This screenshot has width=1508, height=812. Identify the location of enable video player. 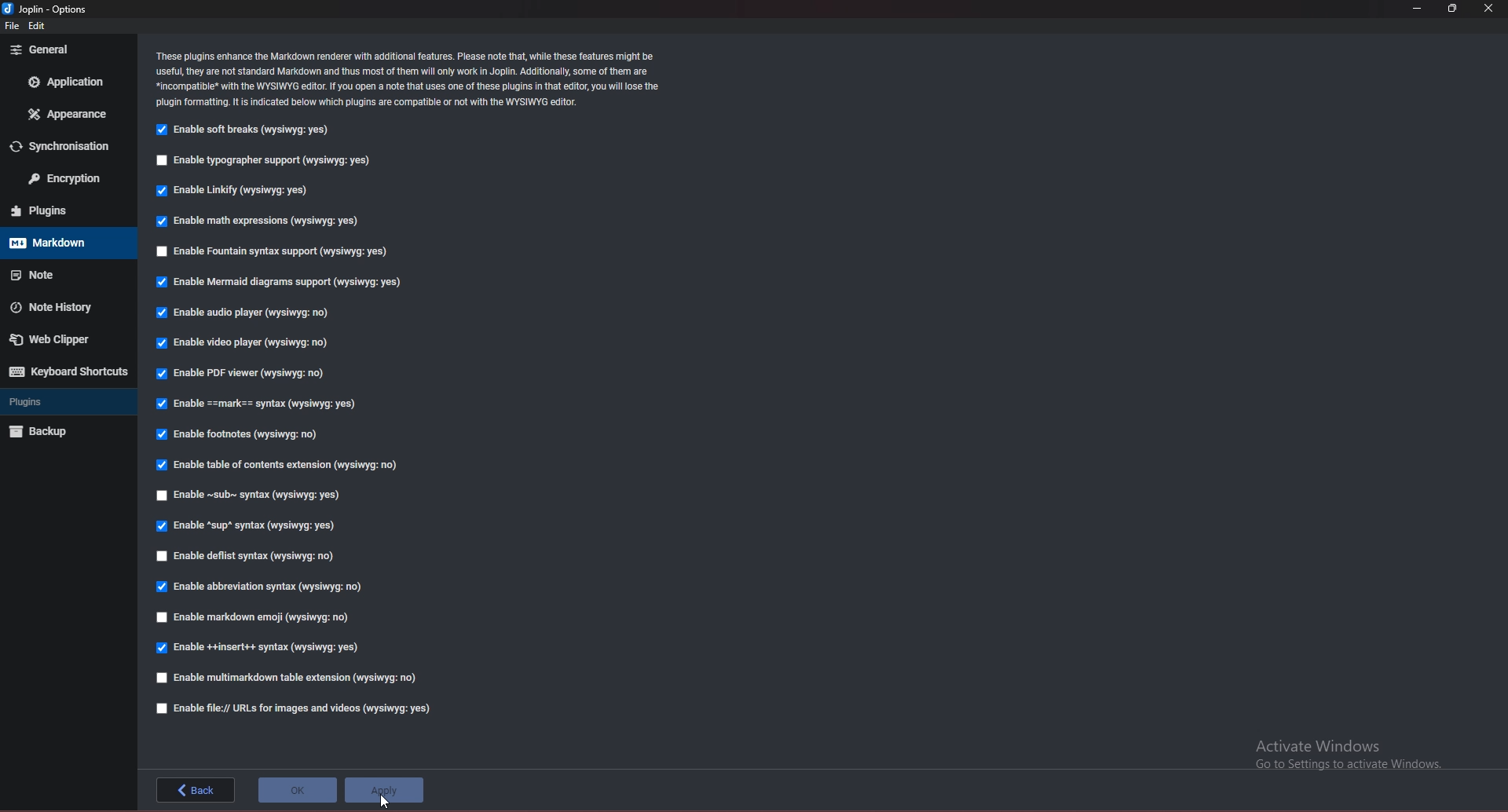
(247, 344).